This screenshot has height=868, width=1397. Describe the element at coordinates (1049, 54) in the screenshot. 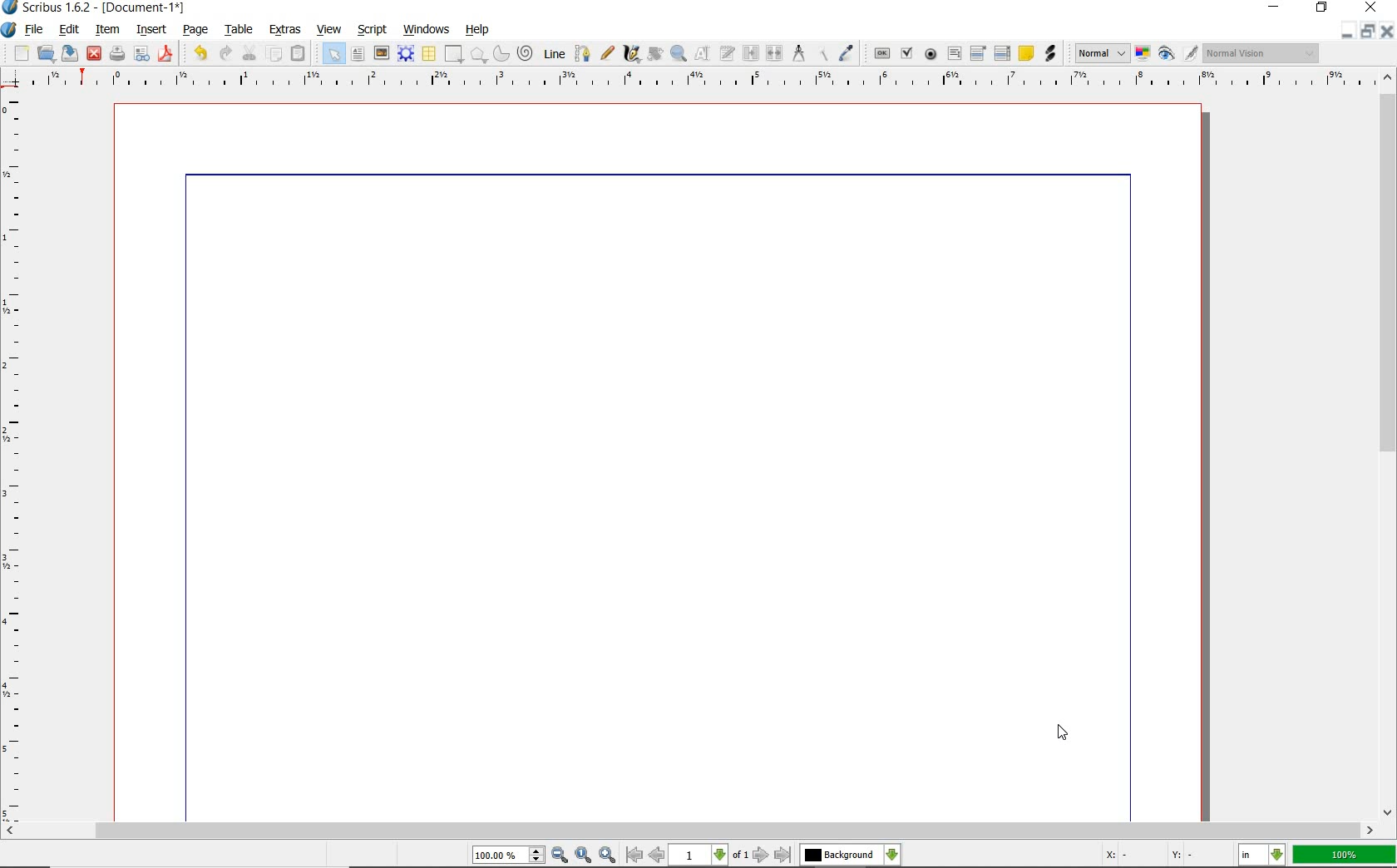

I see `link annotation` at that location.